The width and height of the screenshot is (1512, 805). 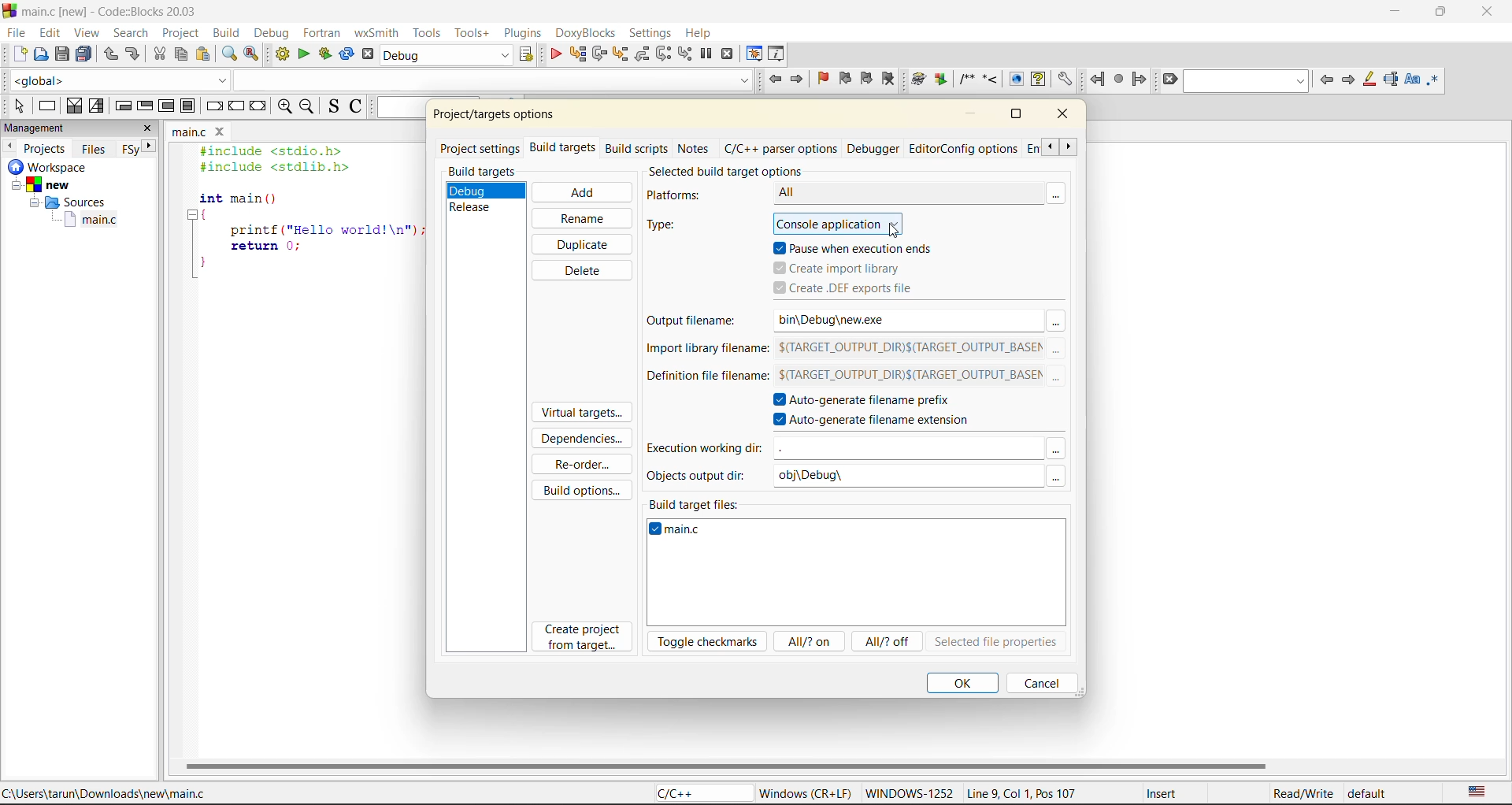 I want to click on type, so click(x=665, y=222).